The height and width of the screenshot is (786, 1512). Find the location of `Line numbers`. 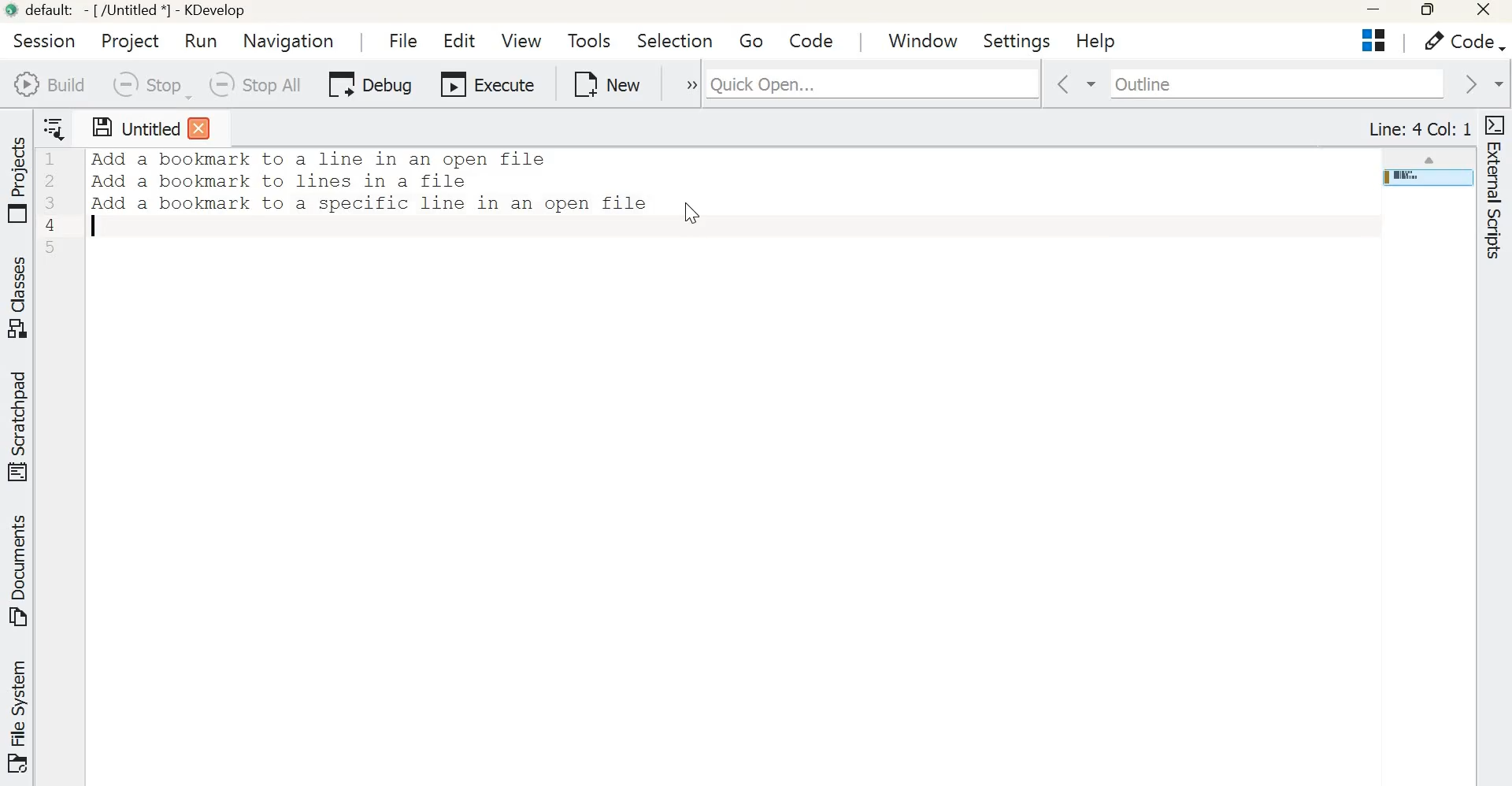

Line numbers is located at coordinates (54, 202).